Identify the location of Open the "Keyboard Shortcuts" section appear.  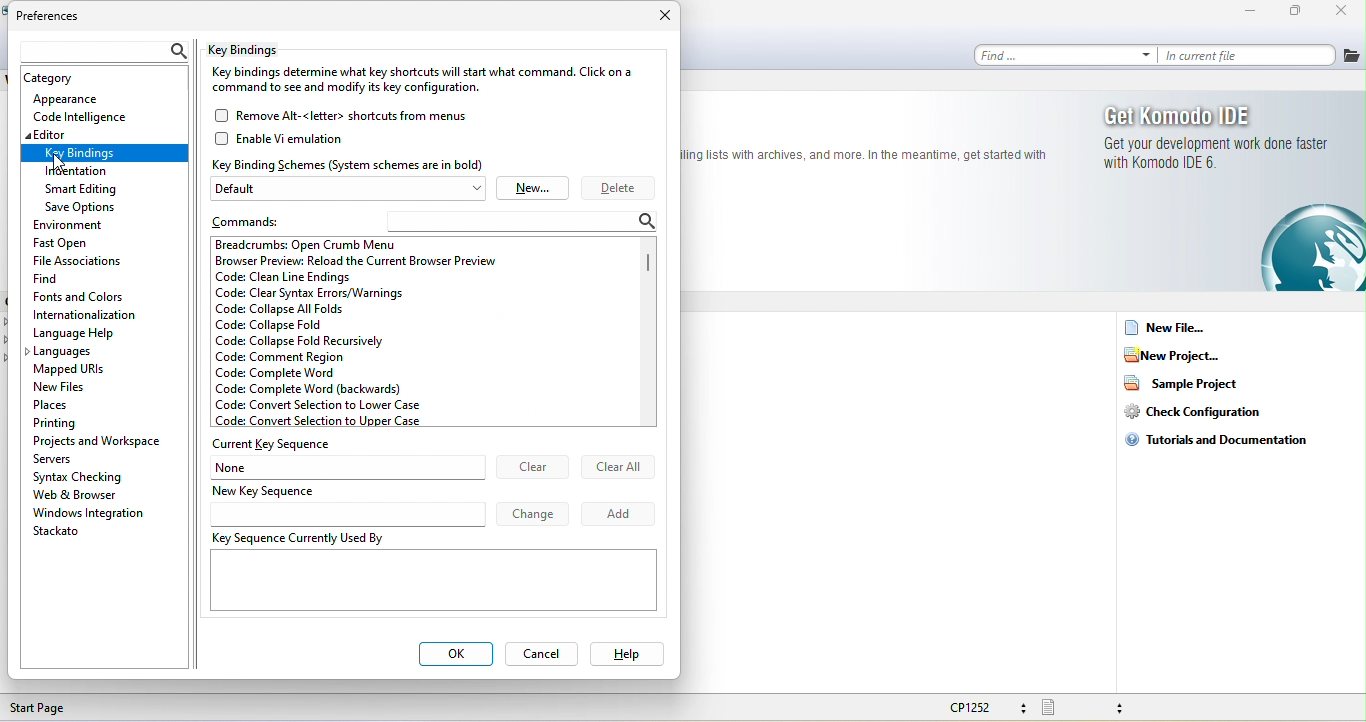
(103, 153).